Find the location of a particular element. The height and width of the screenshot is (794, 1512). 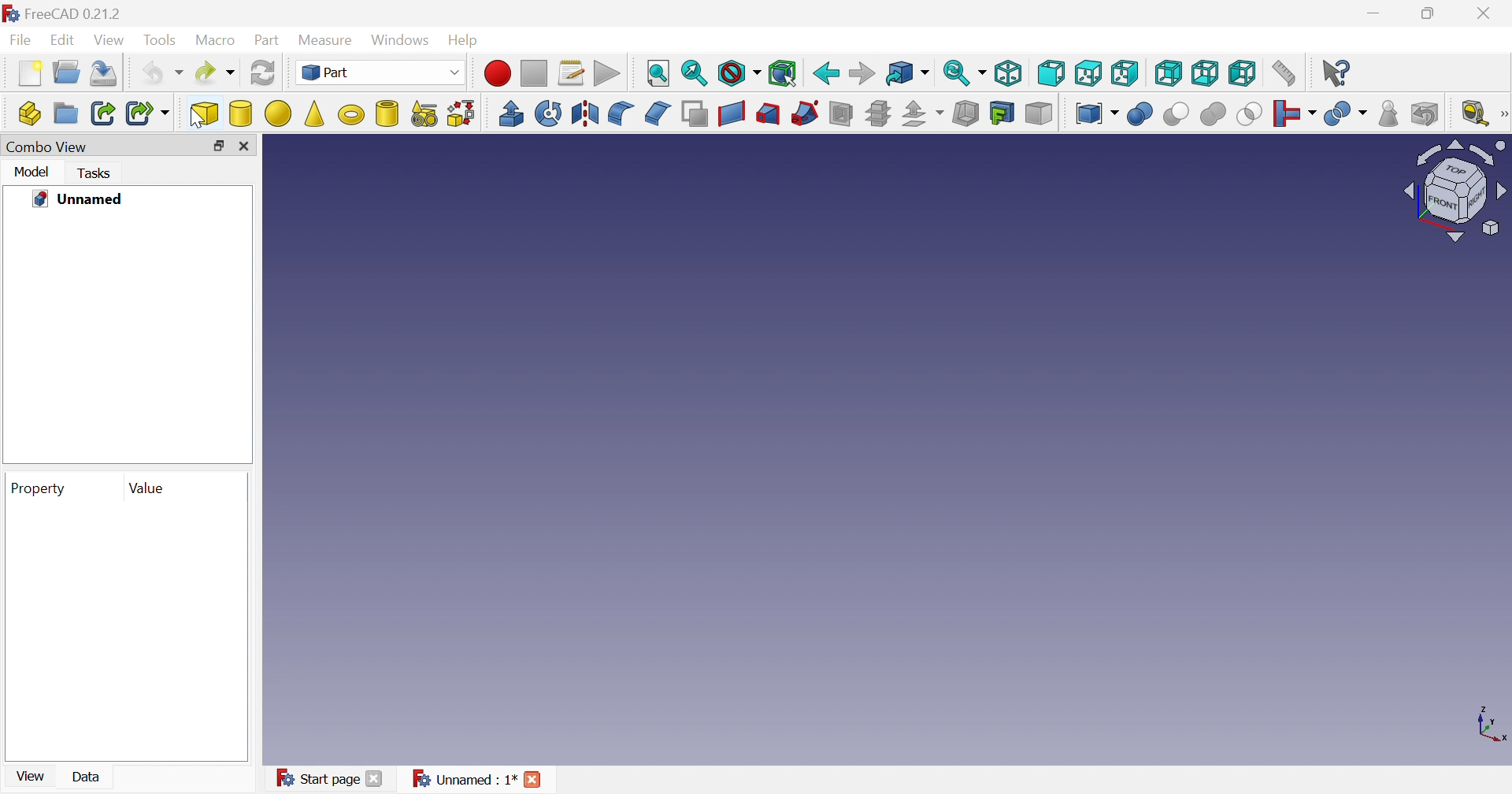

FreeCAD 0.21.2 is located at coordinates (62, 11).